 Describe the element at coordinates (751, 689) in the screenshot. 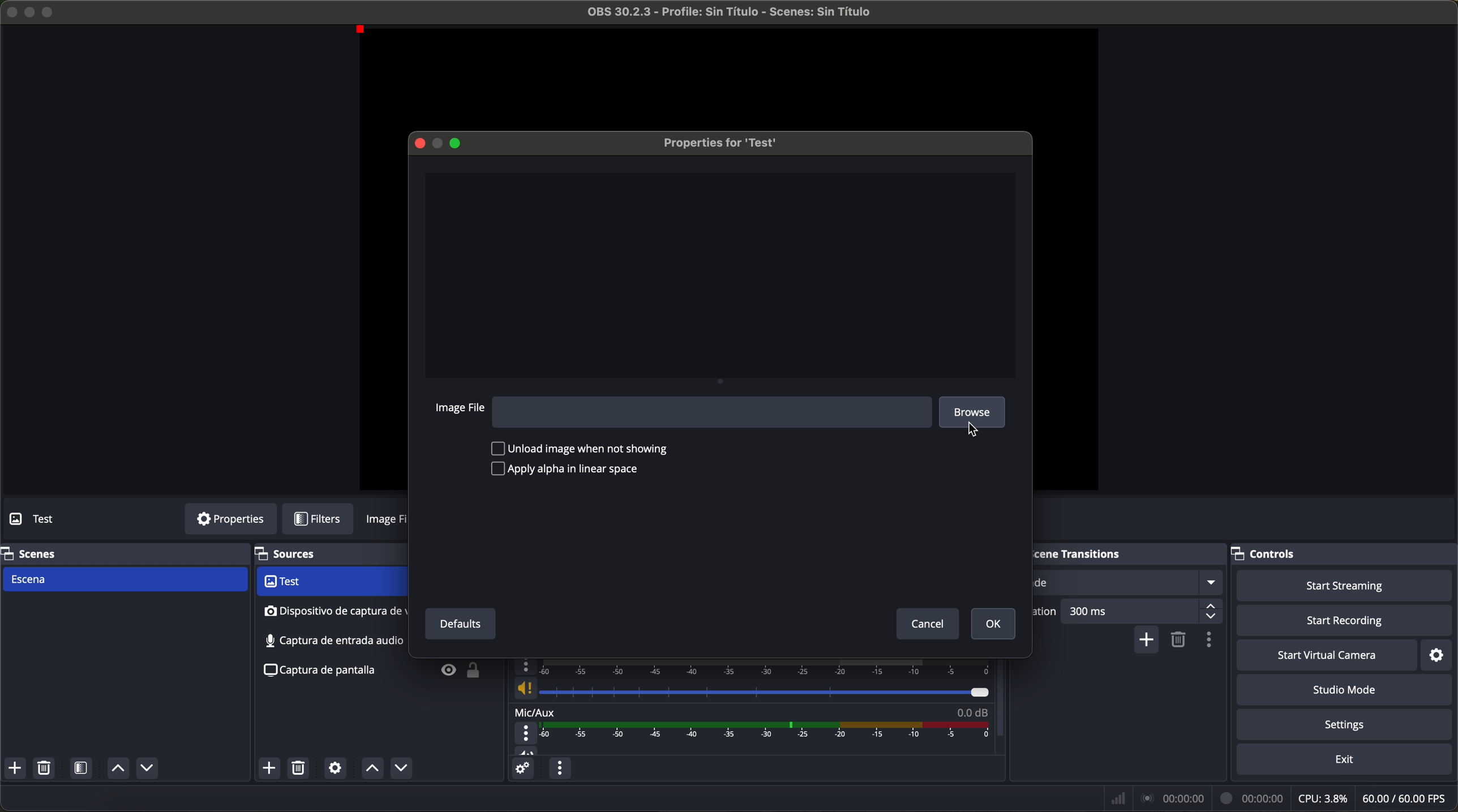

I see `vol` at that location.